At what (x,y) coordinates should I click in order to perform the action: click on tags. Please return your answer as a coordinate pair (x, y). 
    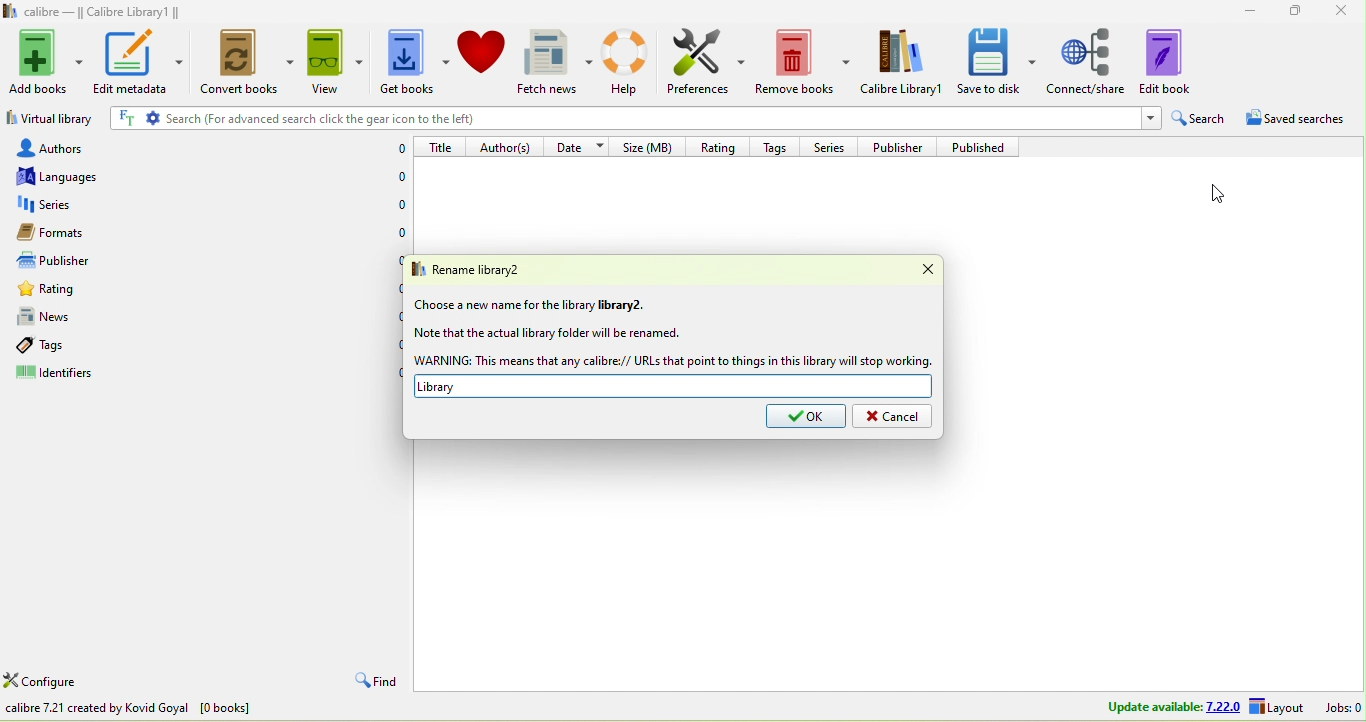
    Looking at the image, I should click on (779, 145).